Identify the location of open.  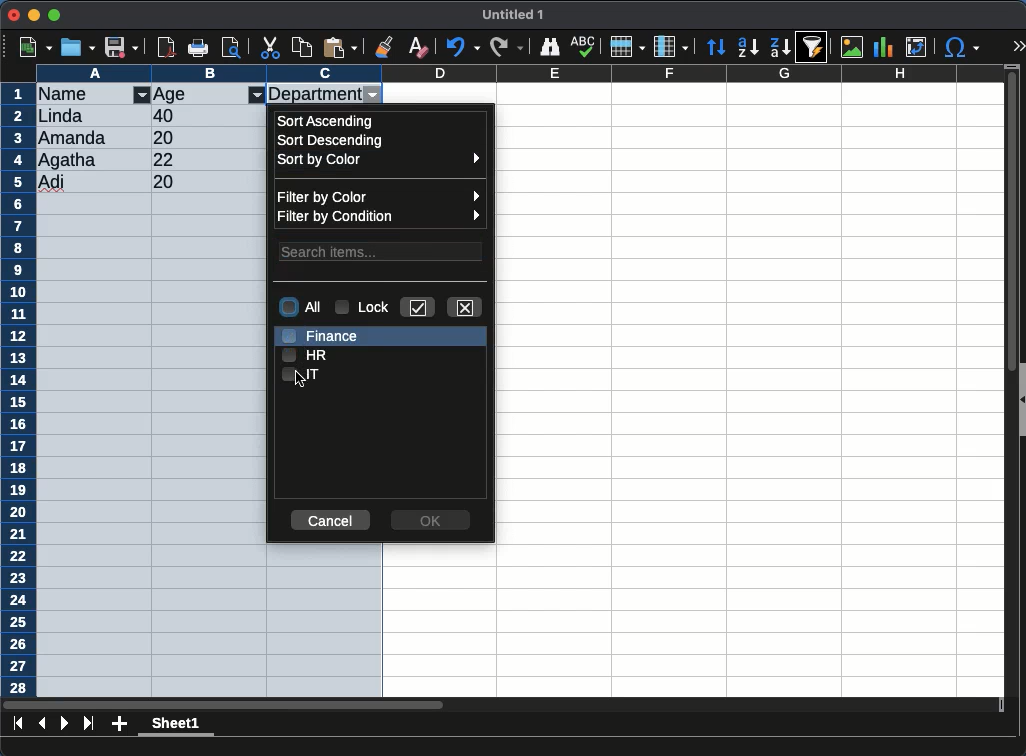
(78, 47).